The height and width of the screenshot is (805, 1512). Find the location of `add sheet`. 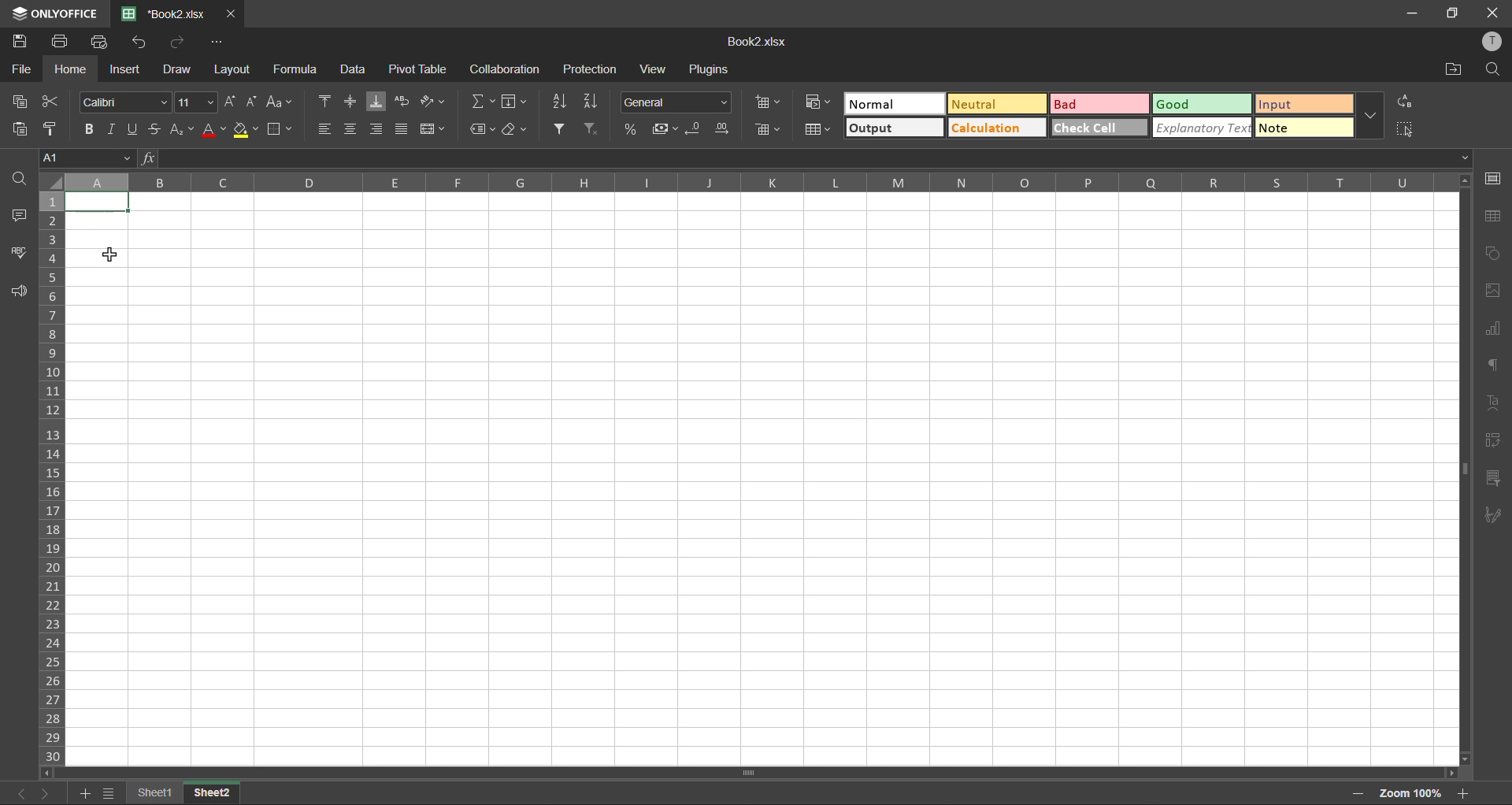

add sheet is located at coordinates (83, 795).